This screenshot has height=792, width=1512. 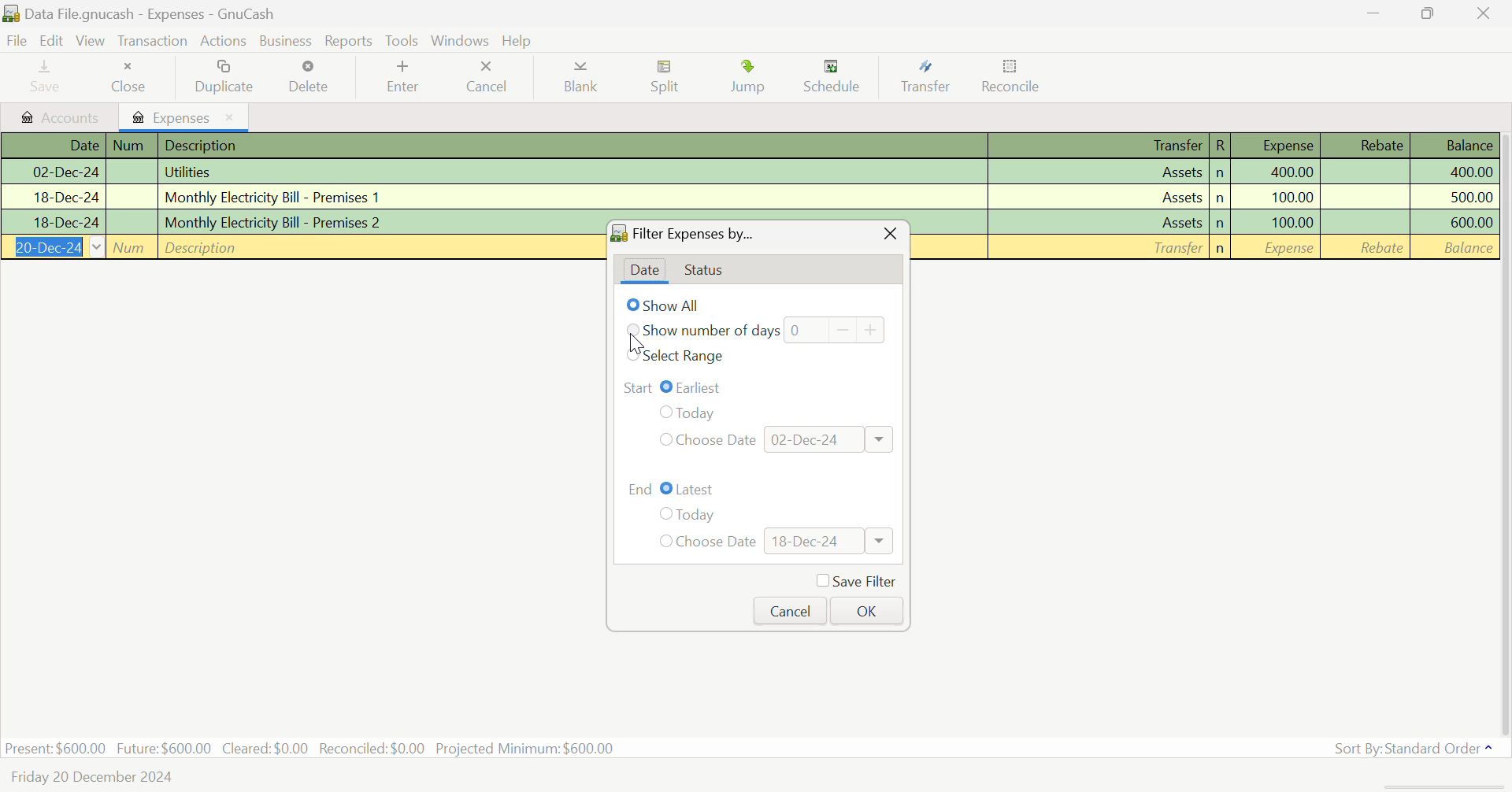 I want to click on Assets, so click(x=1097, y=221).